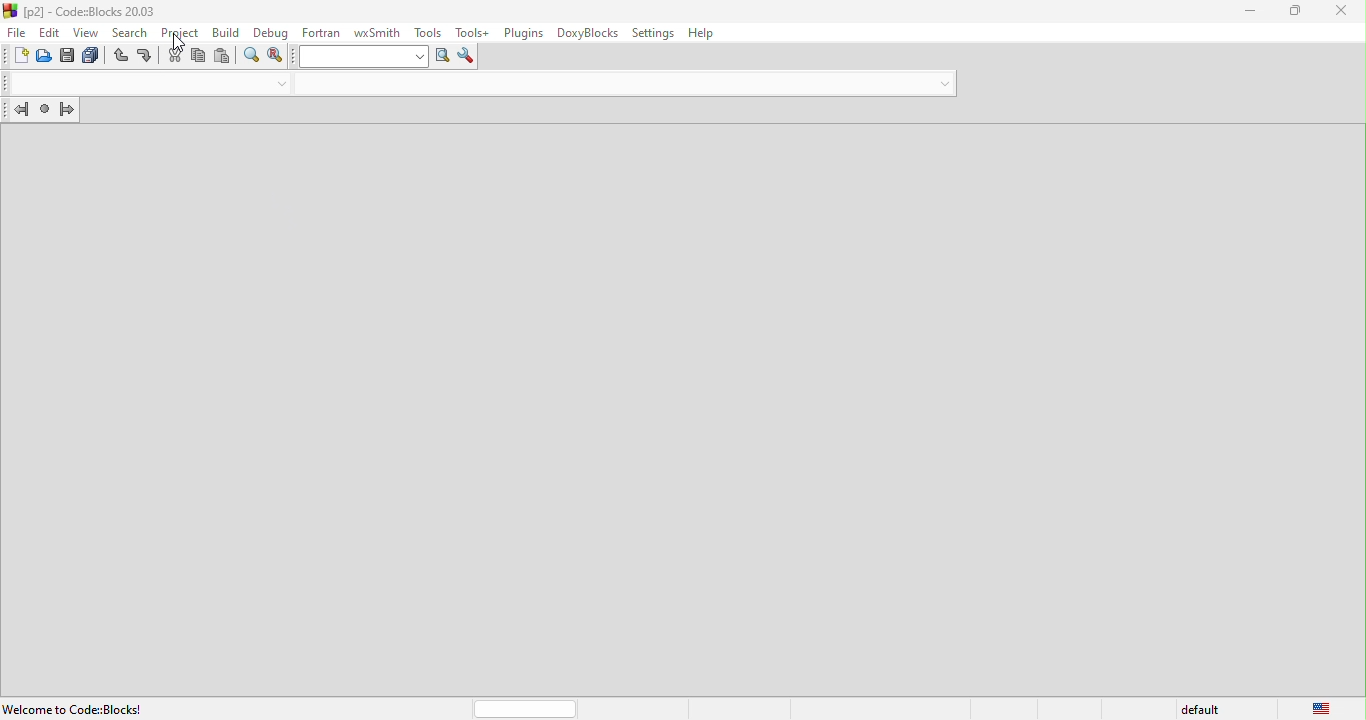 The height and width of the screenshot is (720, 1366). What do you see at coordinates (1323, 709) in the screenshot?
I see `united state` at bounding box center [1323, 709].